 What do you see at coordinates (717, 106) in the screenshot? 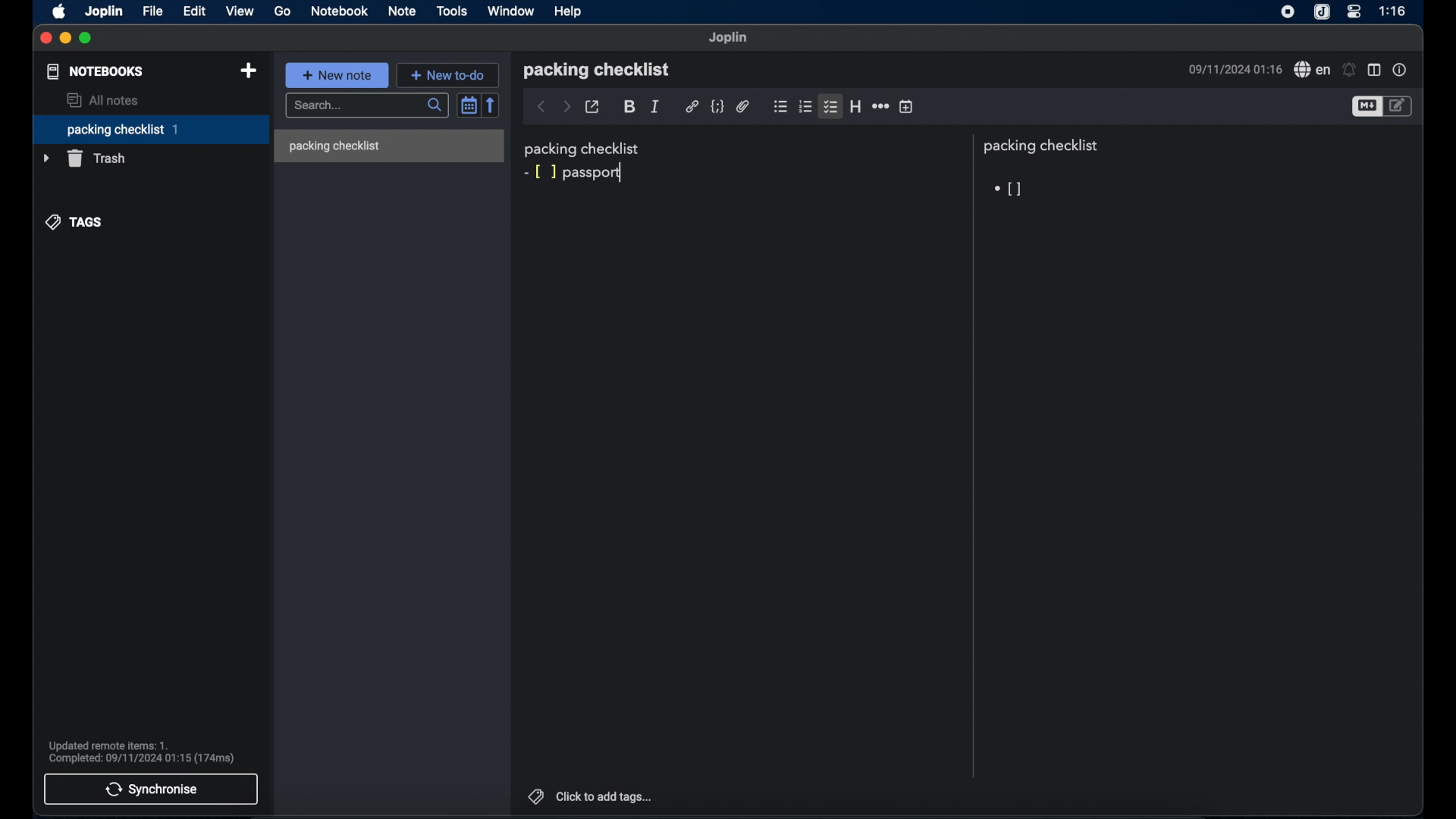
I see `code` at bounding box center [717, 106].